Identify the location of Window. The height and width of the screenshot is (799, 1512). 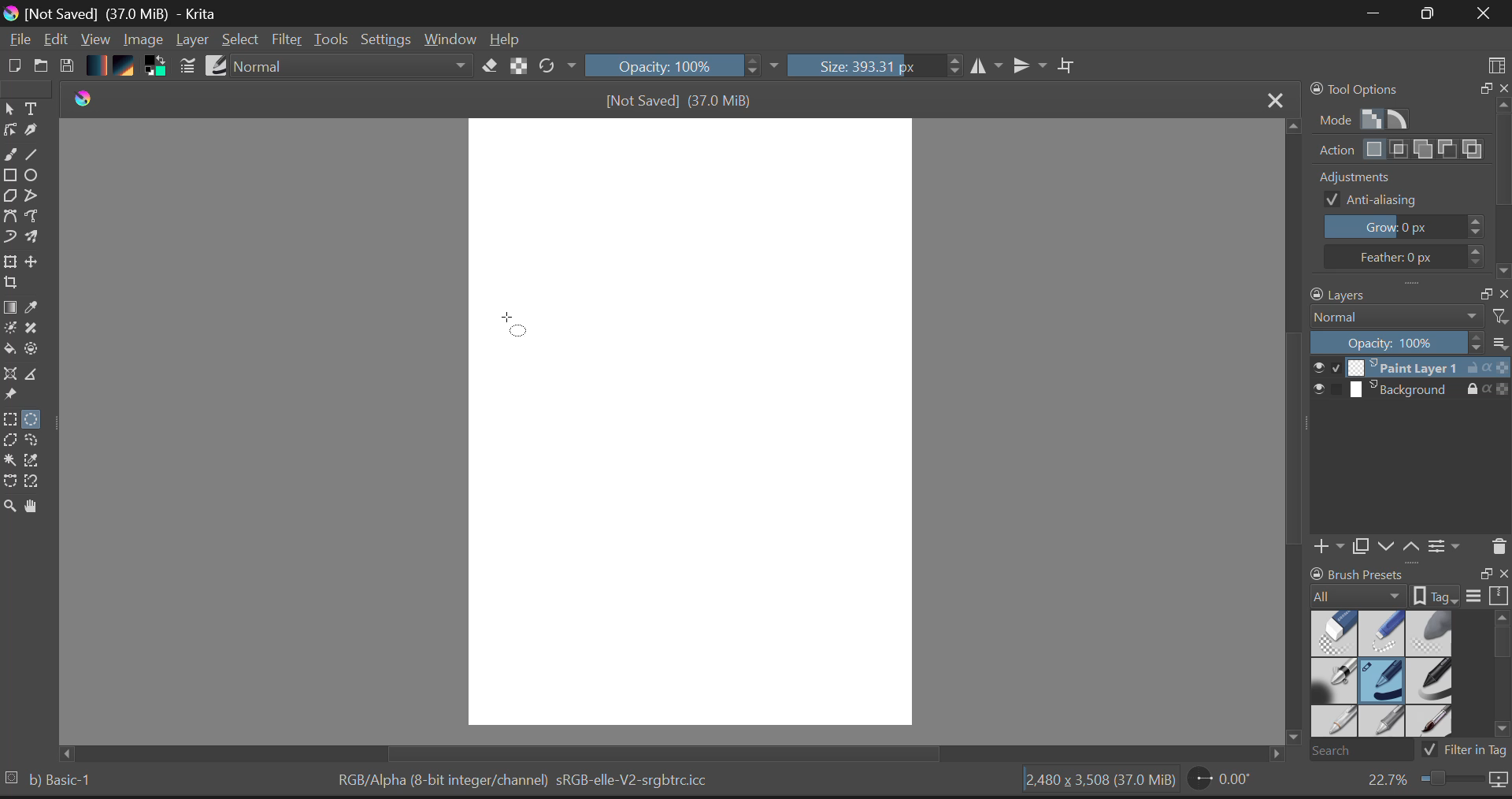
(449, 39).